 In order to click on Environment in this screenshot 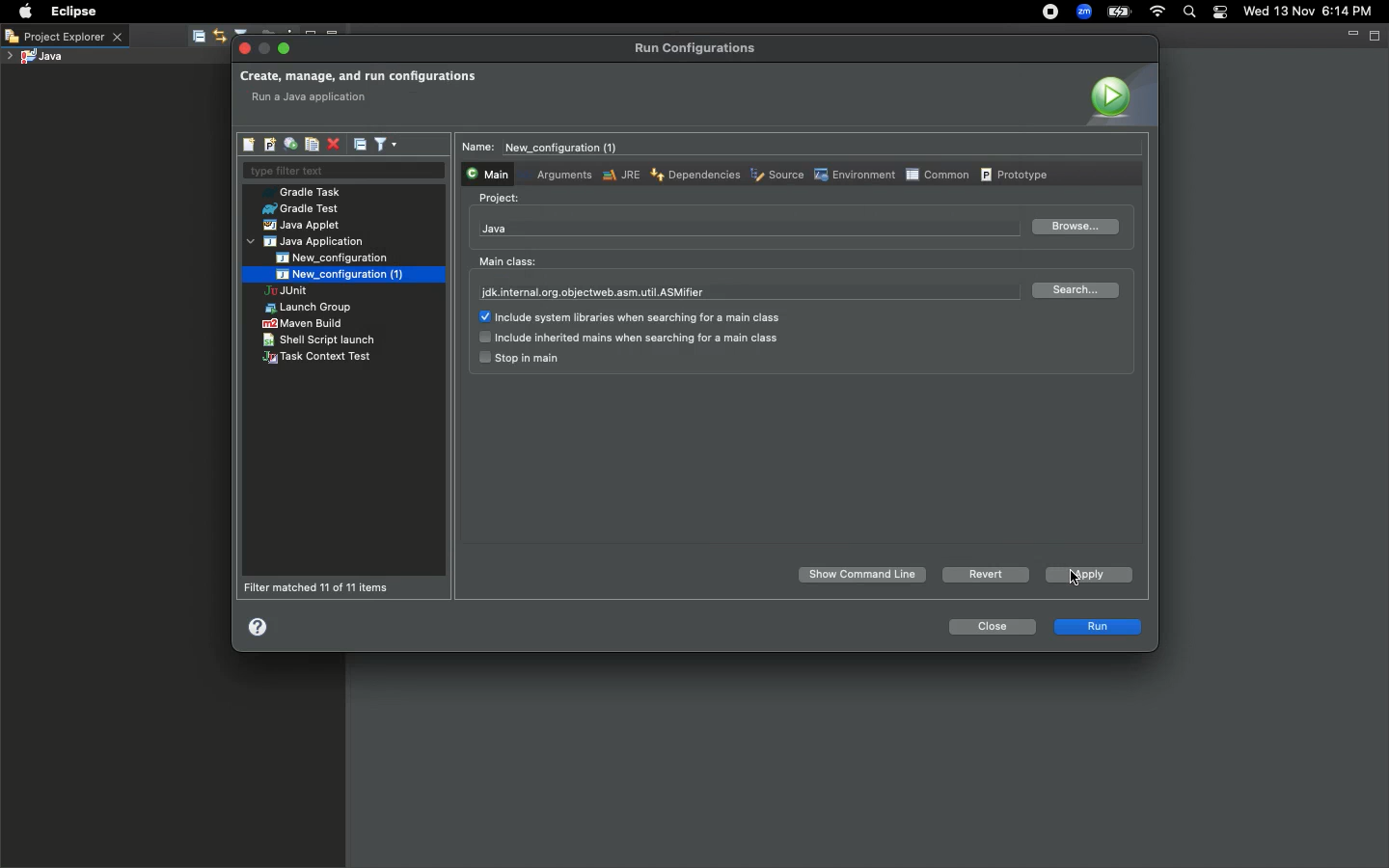, I will do `click(853, 175)`.